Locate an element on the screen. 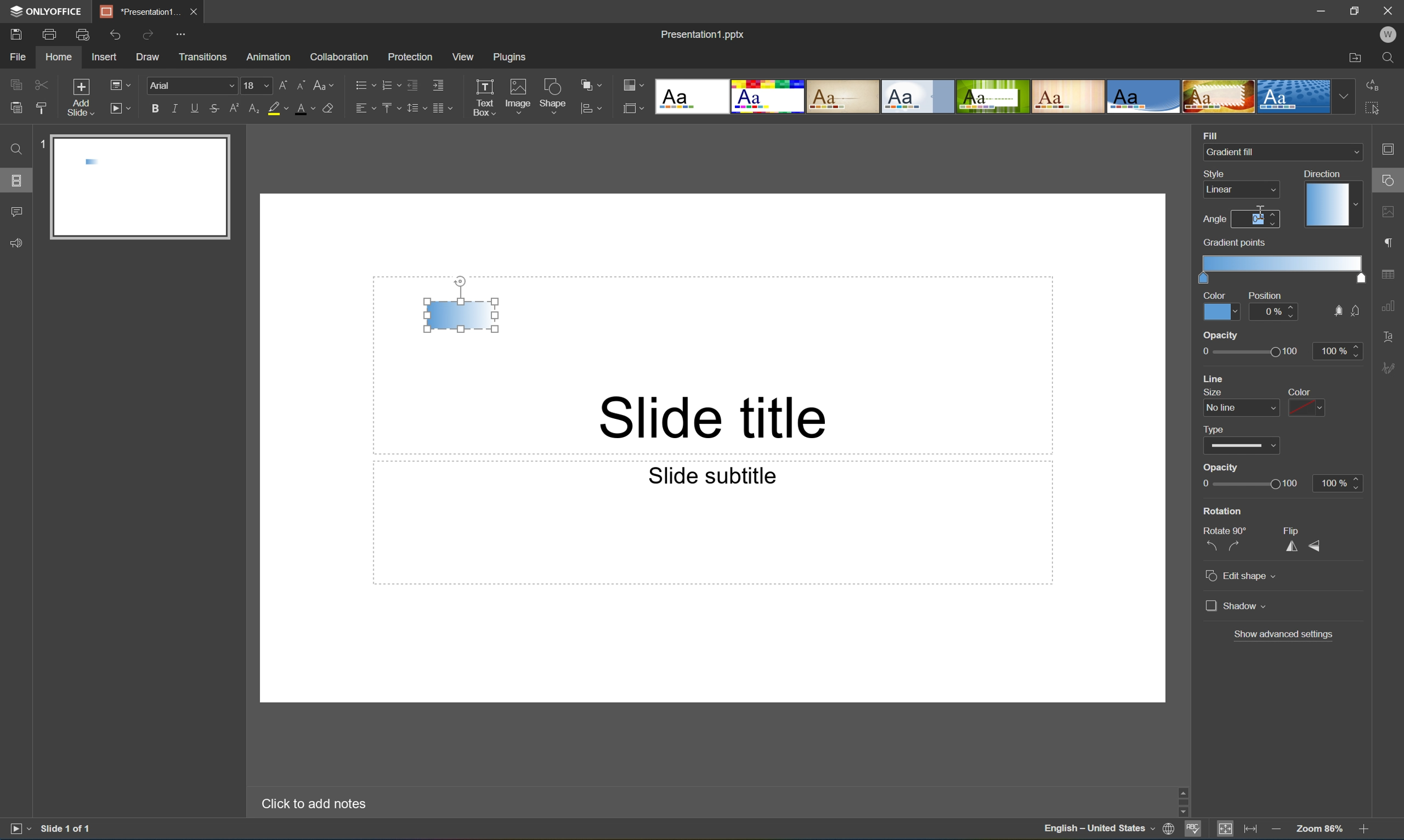 This screenshot has height=840, width=1404. Gradient direction is located at coordinates (1330, 206).